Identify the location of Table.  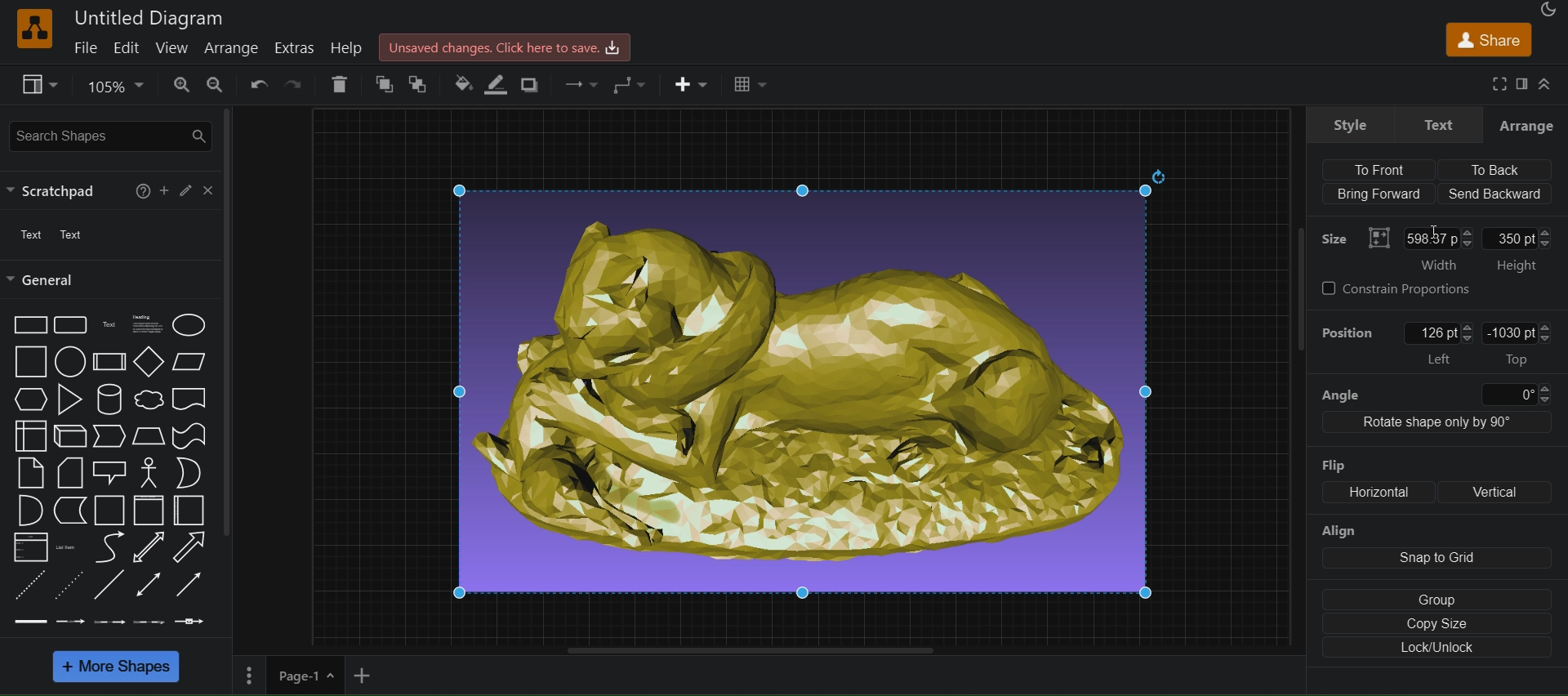
(748, 86).